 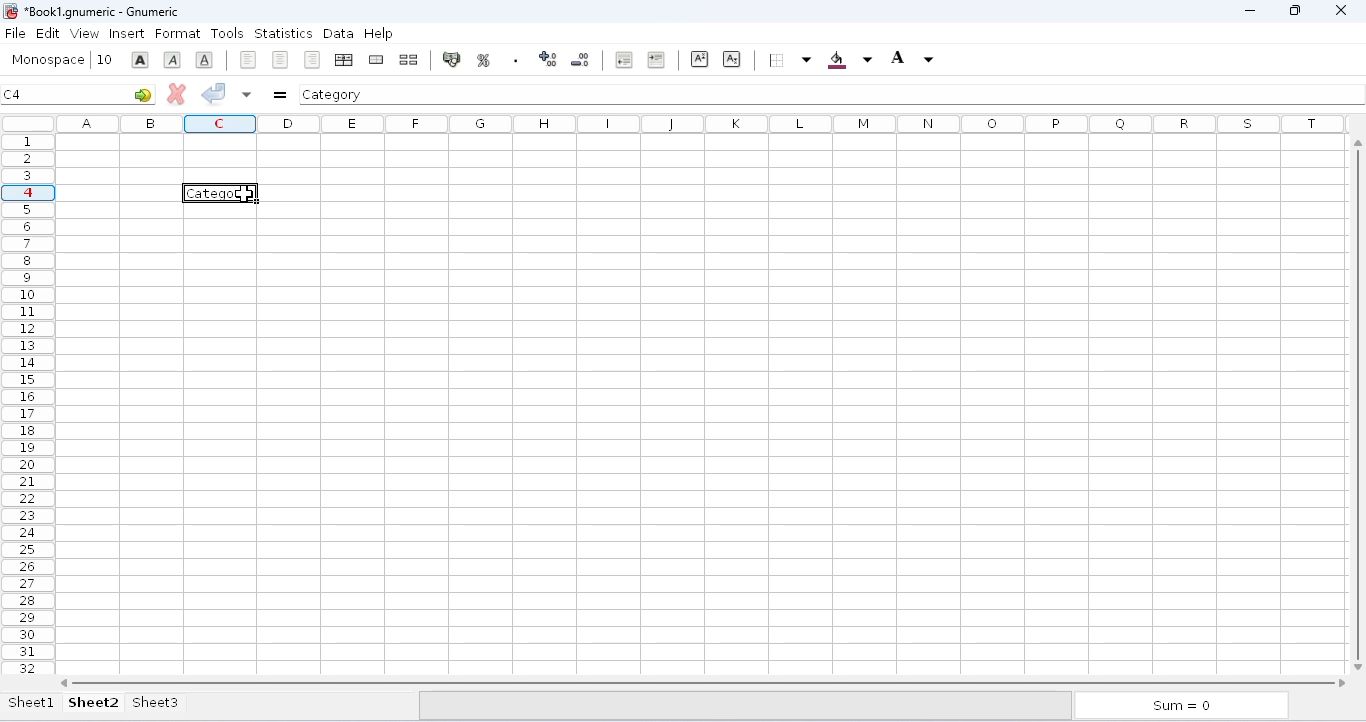 What do you see at coordinates (333, 94) in the screenshot?
I see `category` at bounding box center [333, 94].